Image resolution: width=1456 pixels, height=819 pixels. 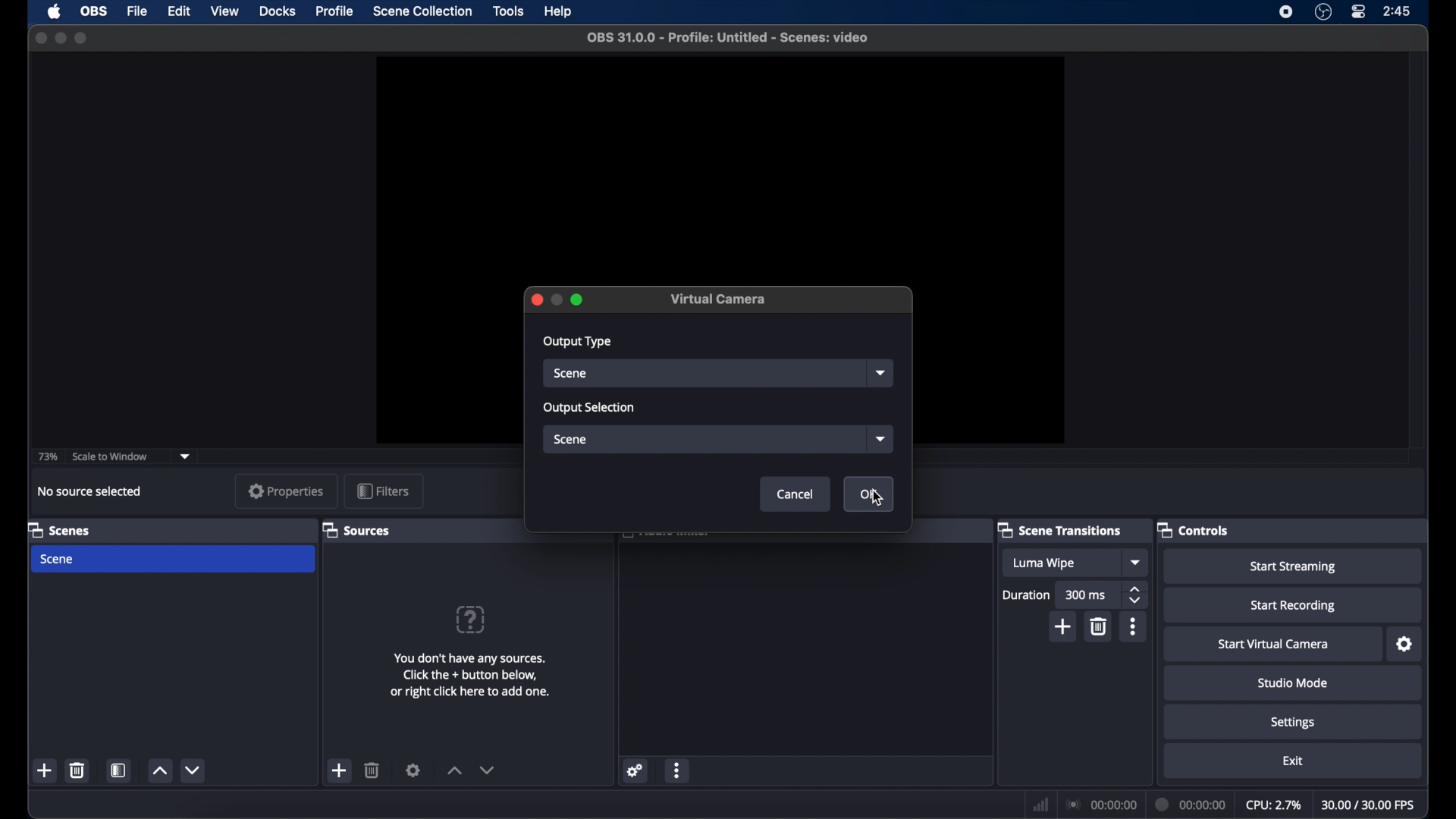 I want to click on luma wipe, so click(x=1059, y=563).